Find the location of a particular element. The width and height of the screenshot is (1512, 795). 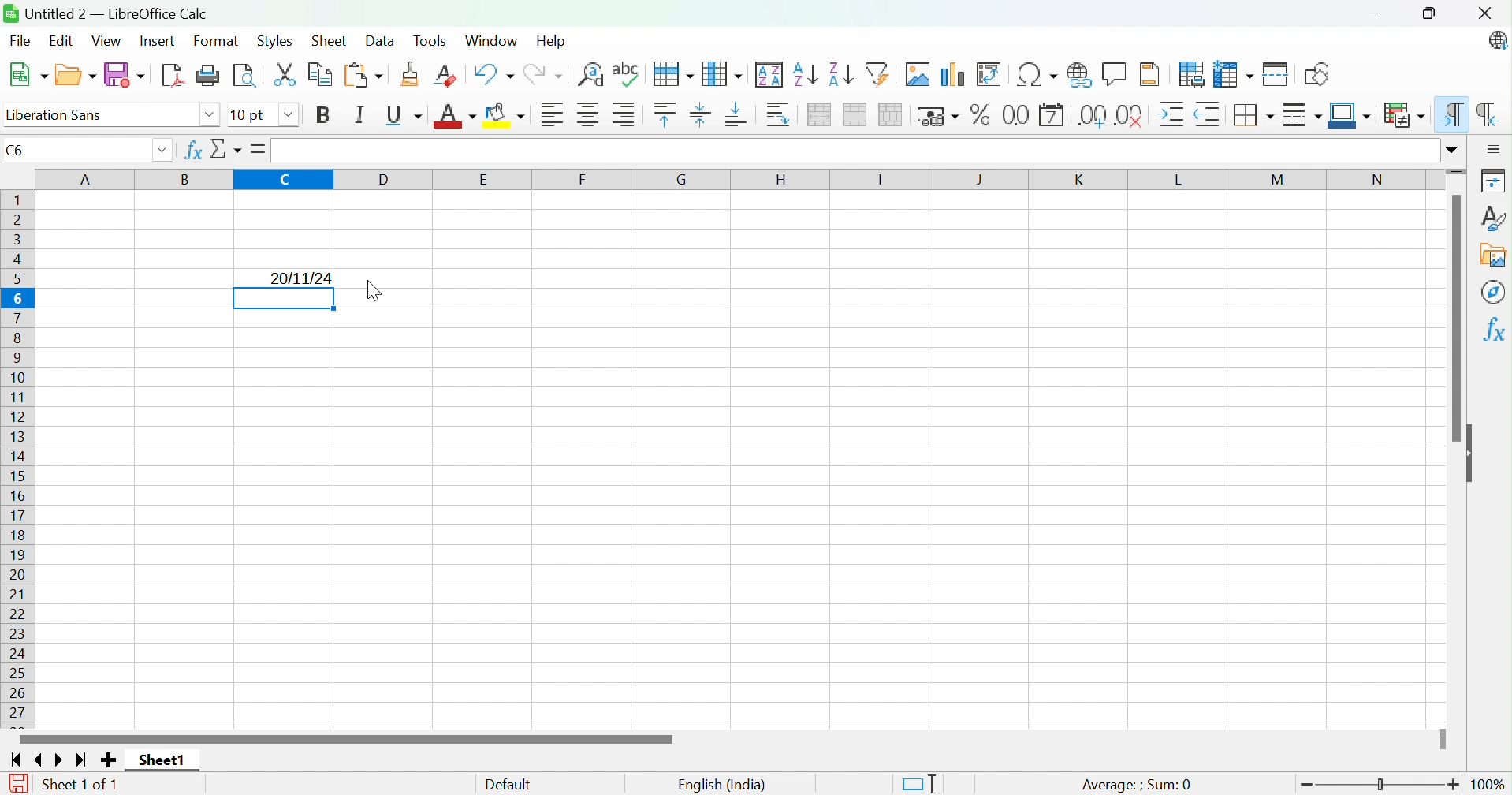

Scroll to next sheet is located at coordinates (61, 760).